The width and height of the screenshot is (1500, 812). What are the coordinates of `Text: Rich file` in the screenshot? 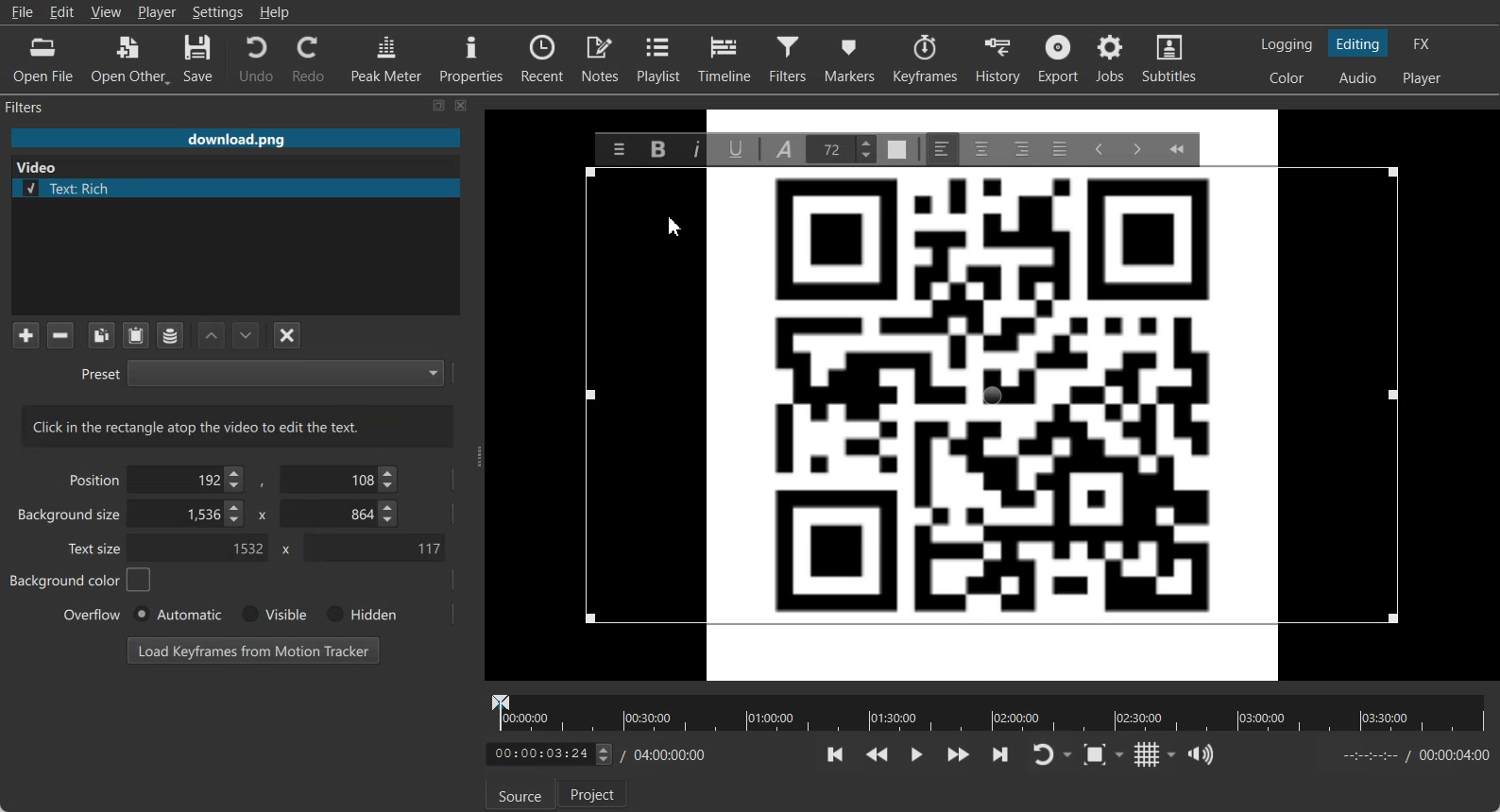 It's located at (237, 190).